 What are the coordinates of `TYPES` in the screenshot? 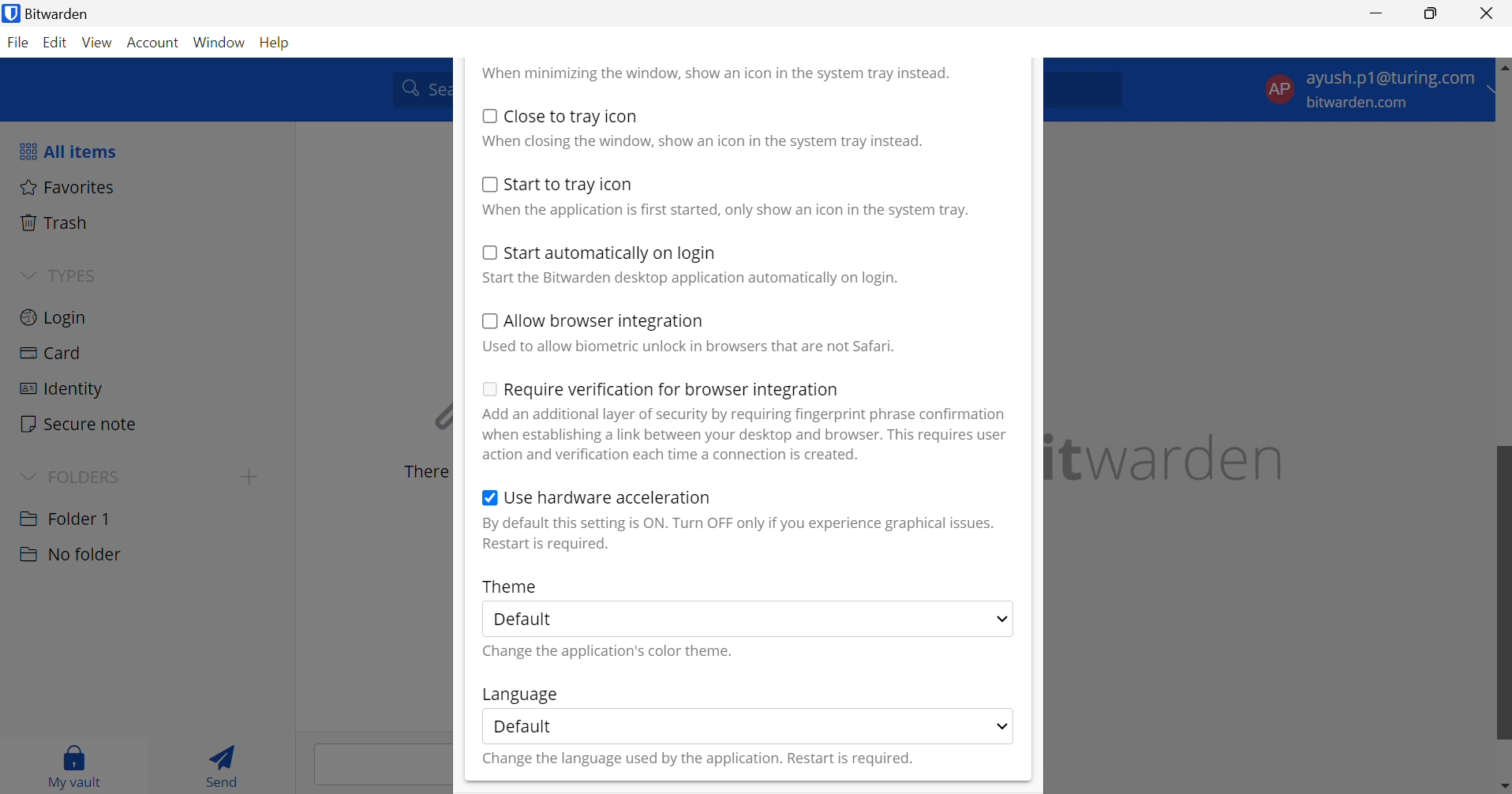 It's located at (69, 275).